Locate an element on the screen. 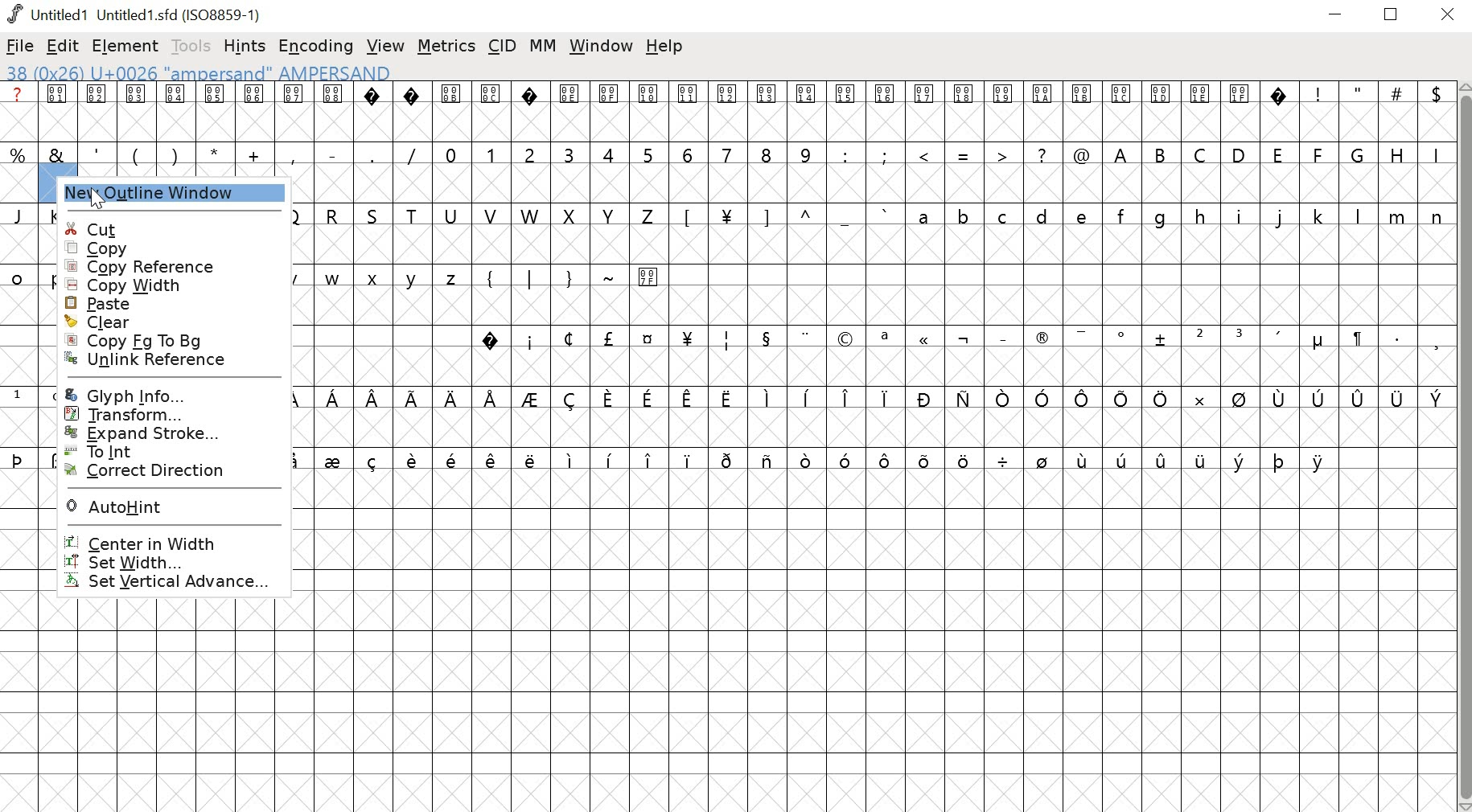  0010 is located at coordinates (650, 109).